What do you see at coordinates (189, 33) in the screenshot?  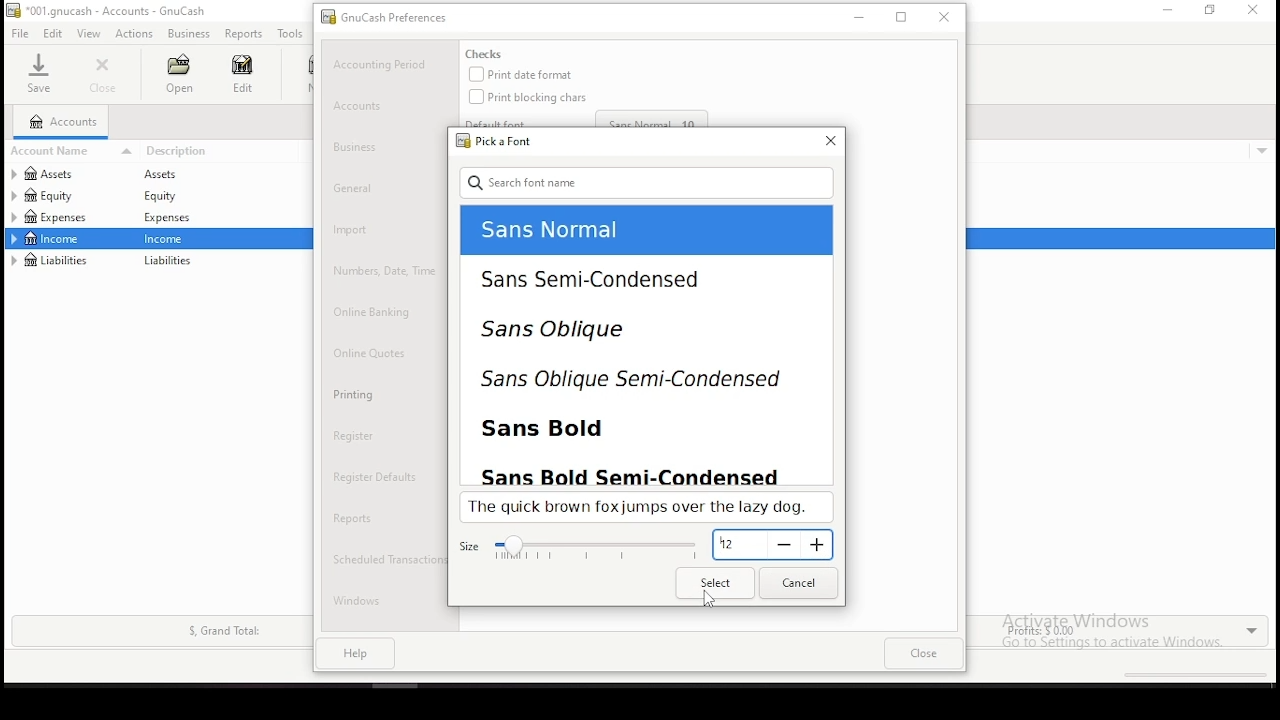 I see `business` at bounding box center [189, 33].